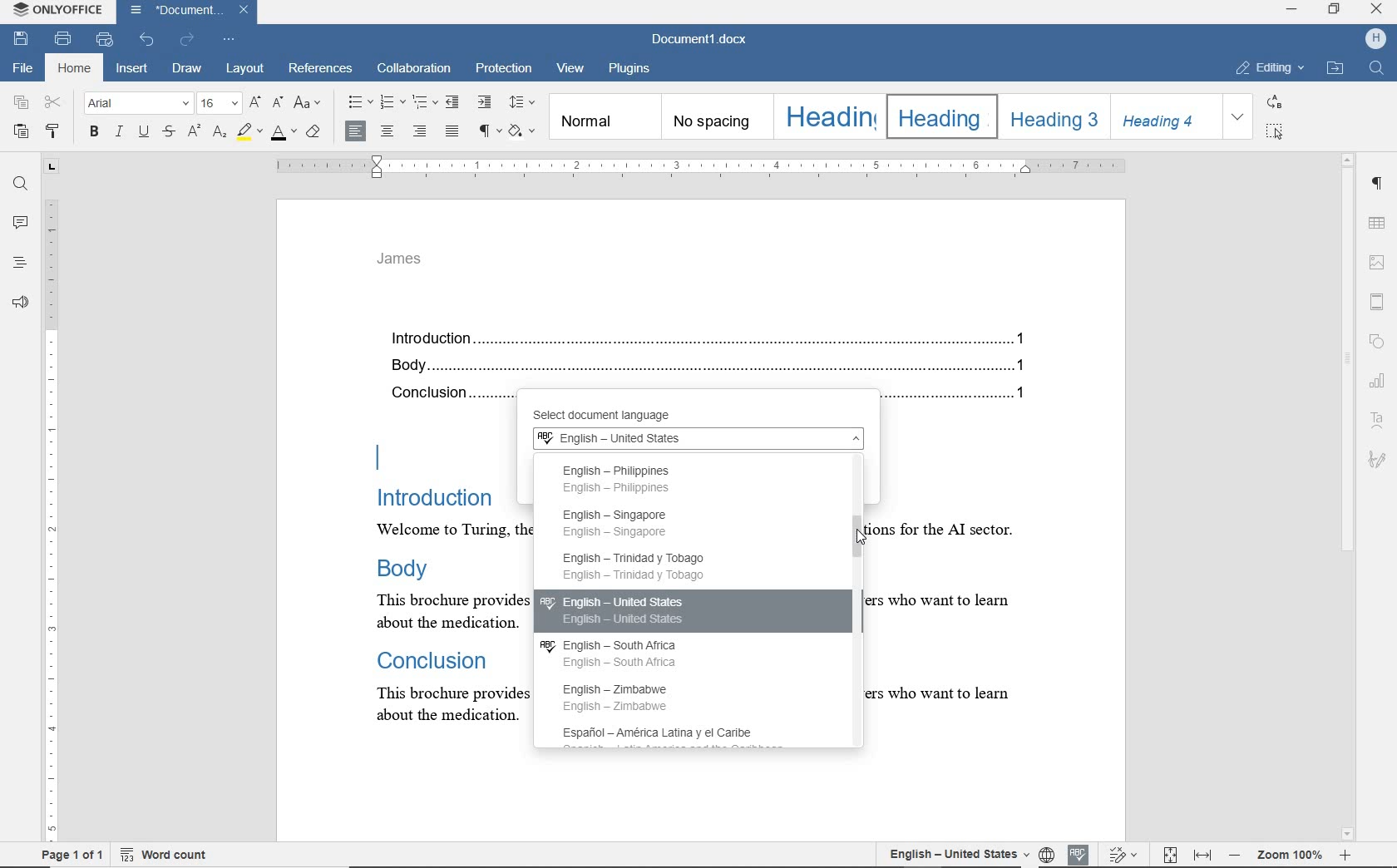  Describe the element at coordinates (422, 133) in the screenshot. I see `align right` at that location.